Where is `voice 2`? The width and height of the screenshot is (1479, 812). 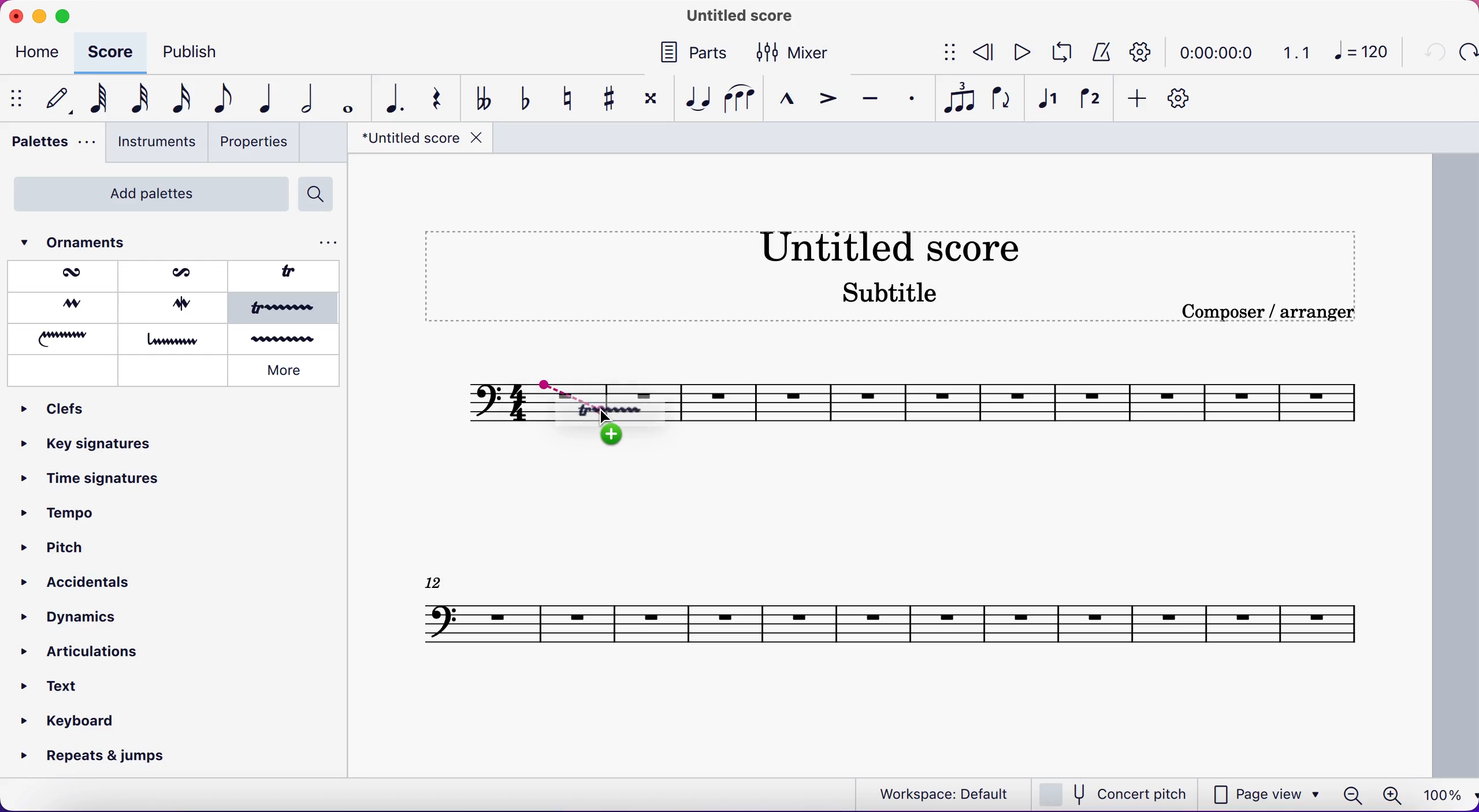 voice 2 is located at coordinates (1090, 100).